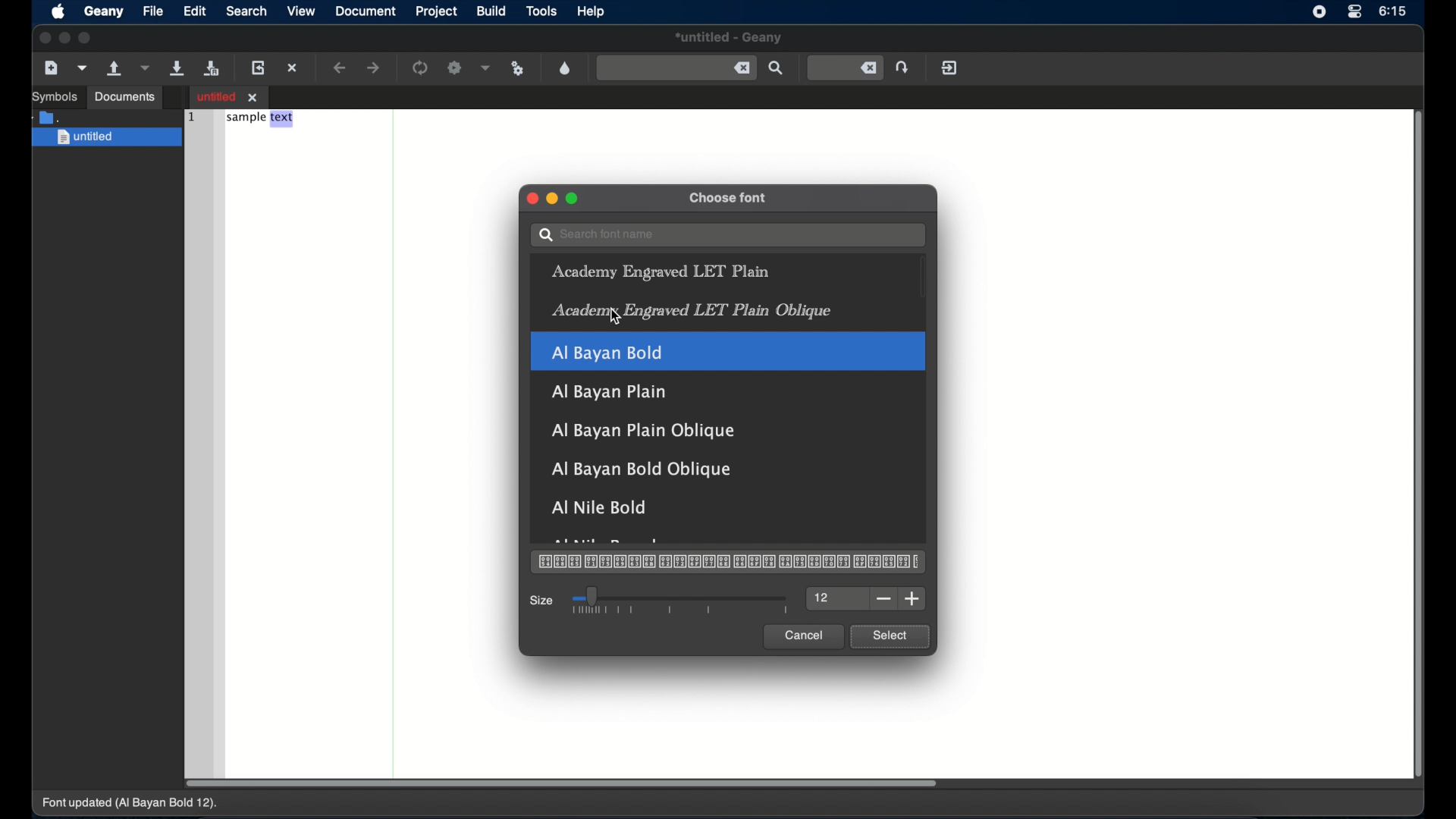 The height and width of the screenshot is (819, 1456). Describe the element at coordinates (115, 69) in the screenshot. I see `open an existing file` at that location.